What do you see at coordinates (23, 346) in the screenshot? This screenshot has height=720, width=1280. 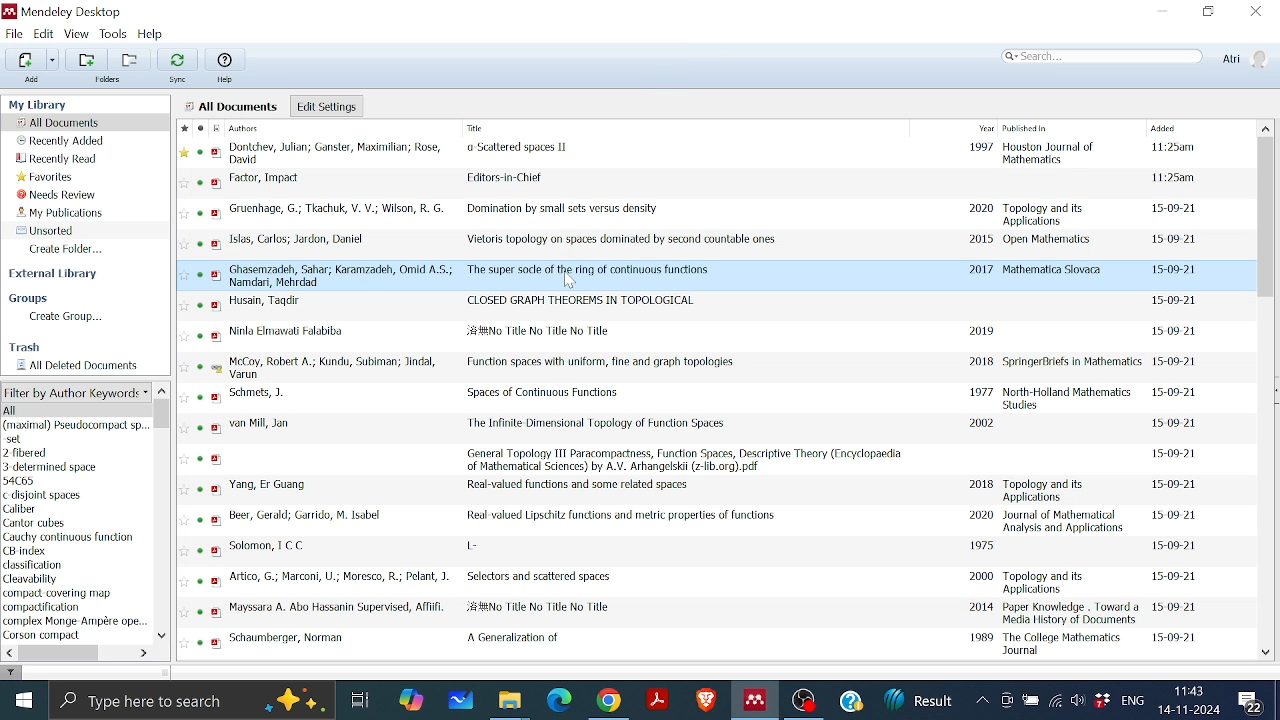 I see `Trash` at bounding box center [23, 346].